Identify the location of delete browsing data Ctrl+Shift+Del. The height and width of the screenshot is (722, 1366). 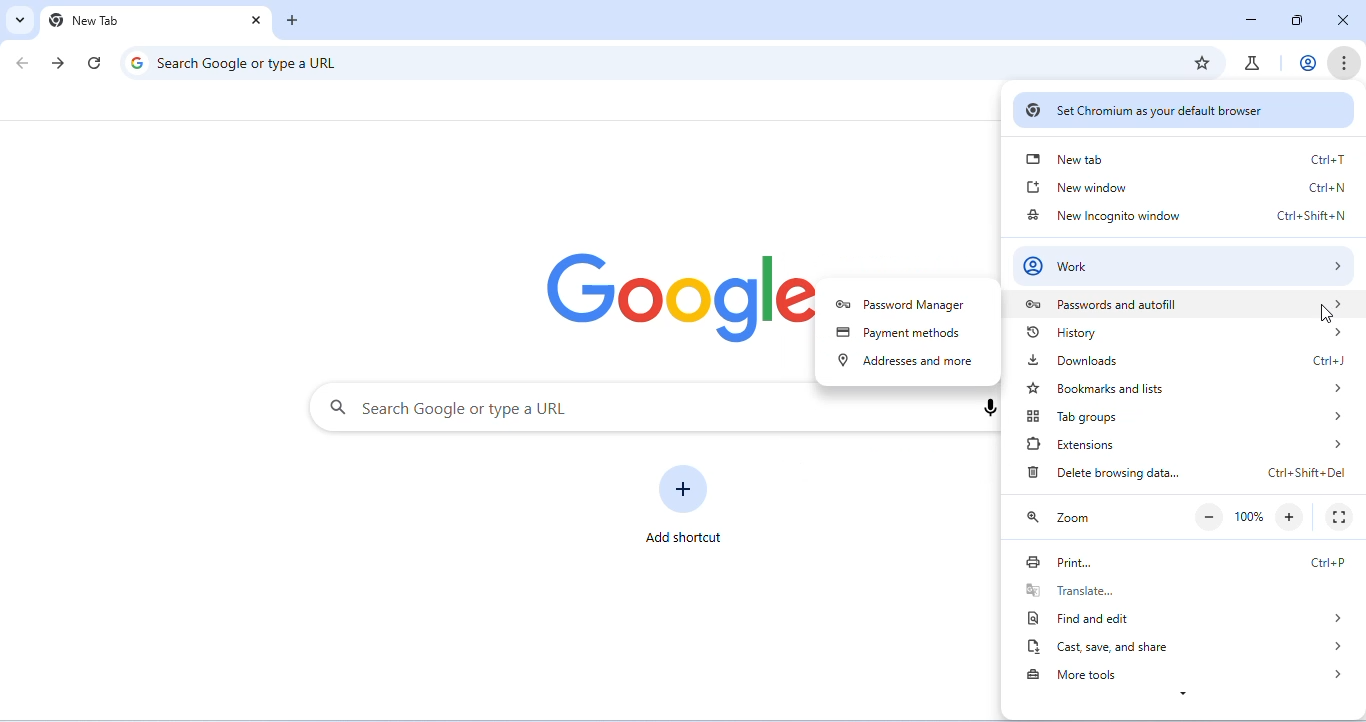
(1185, 474).